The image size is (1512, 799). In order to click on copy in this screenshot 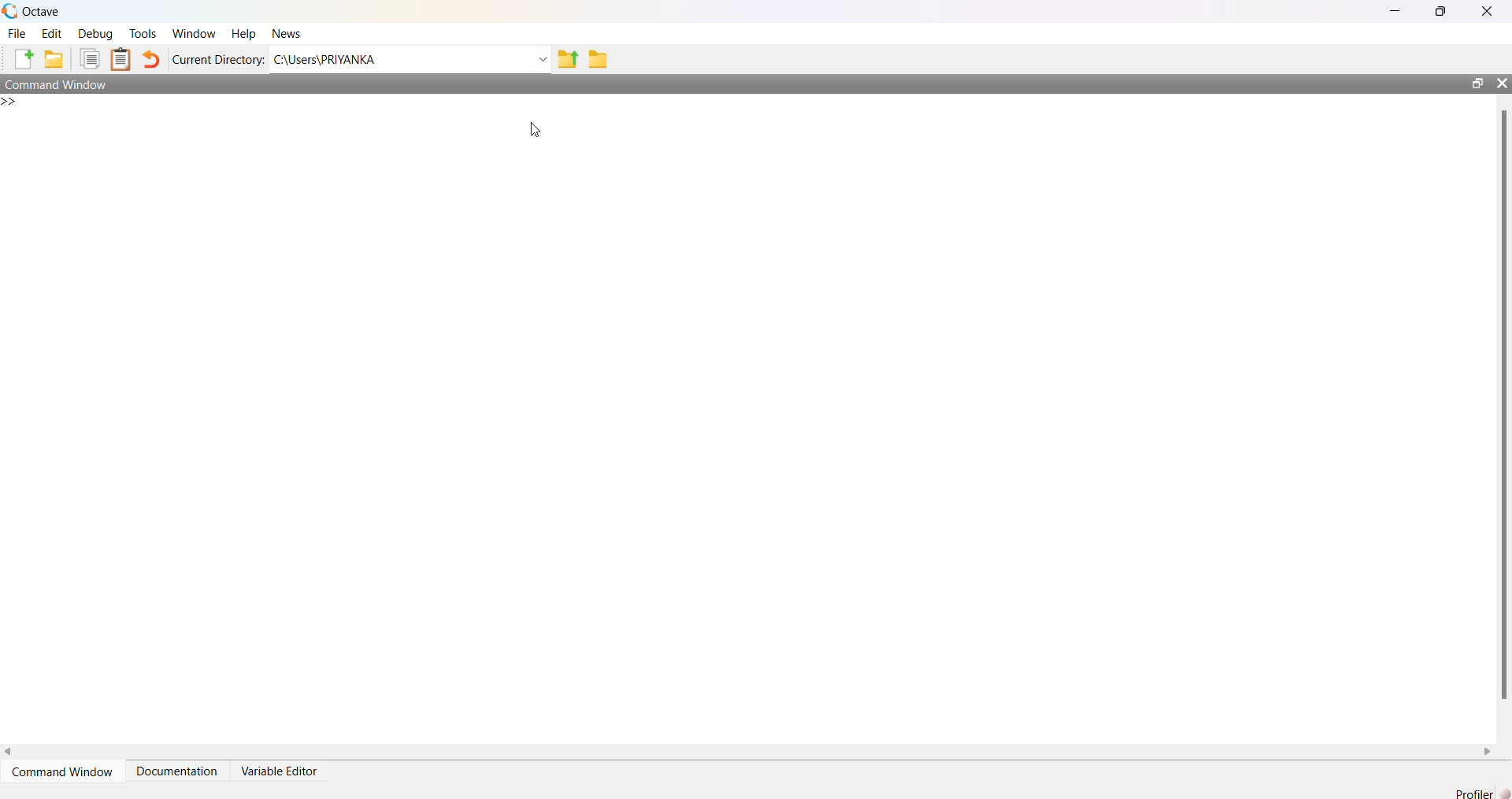, I will do `click(91, 59)`.